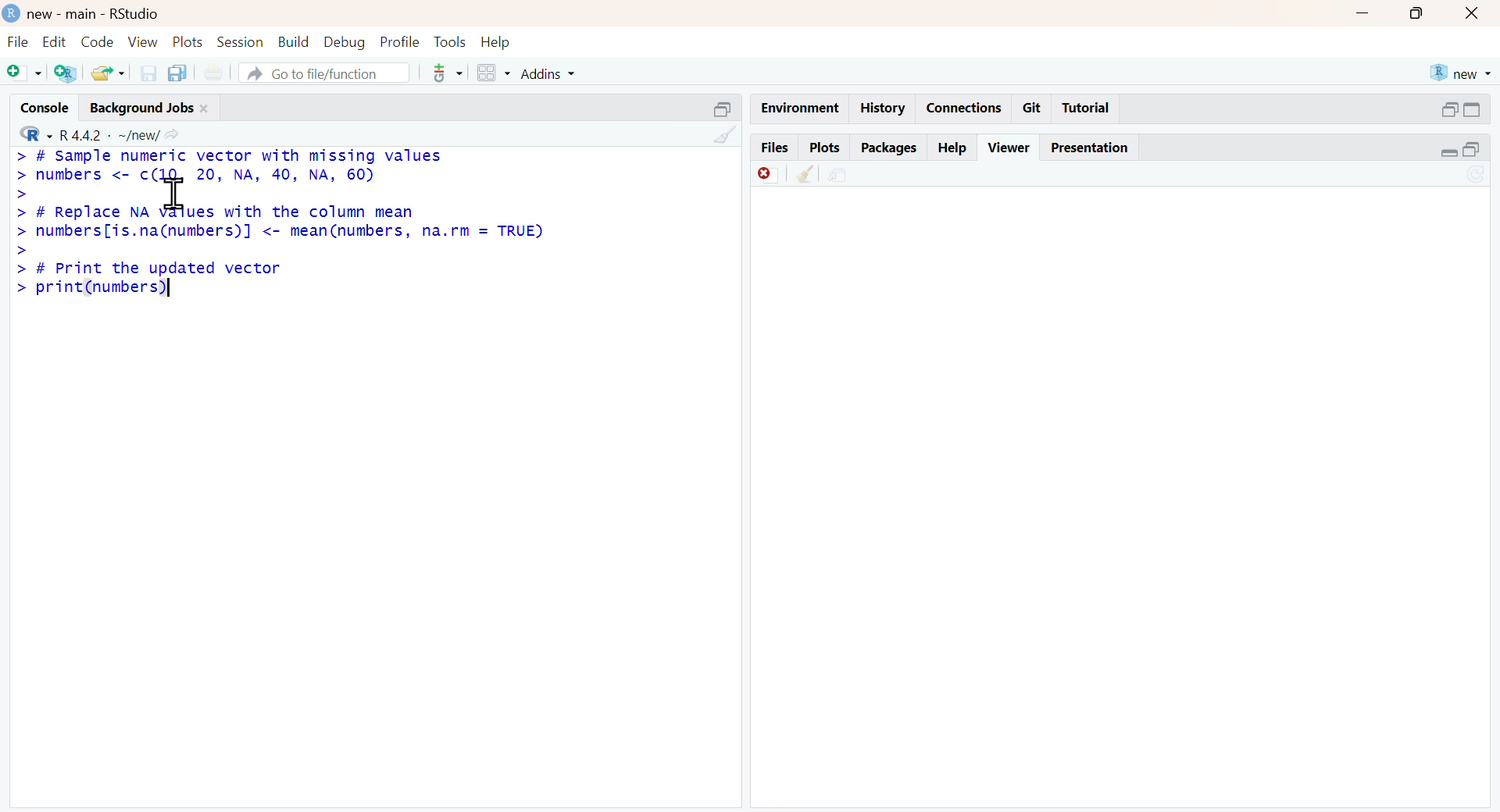  What do you see at coordinates (96, 15) in the screenshot?
I see `new - main - RStudio` at bounding box center [96, 15].